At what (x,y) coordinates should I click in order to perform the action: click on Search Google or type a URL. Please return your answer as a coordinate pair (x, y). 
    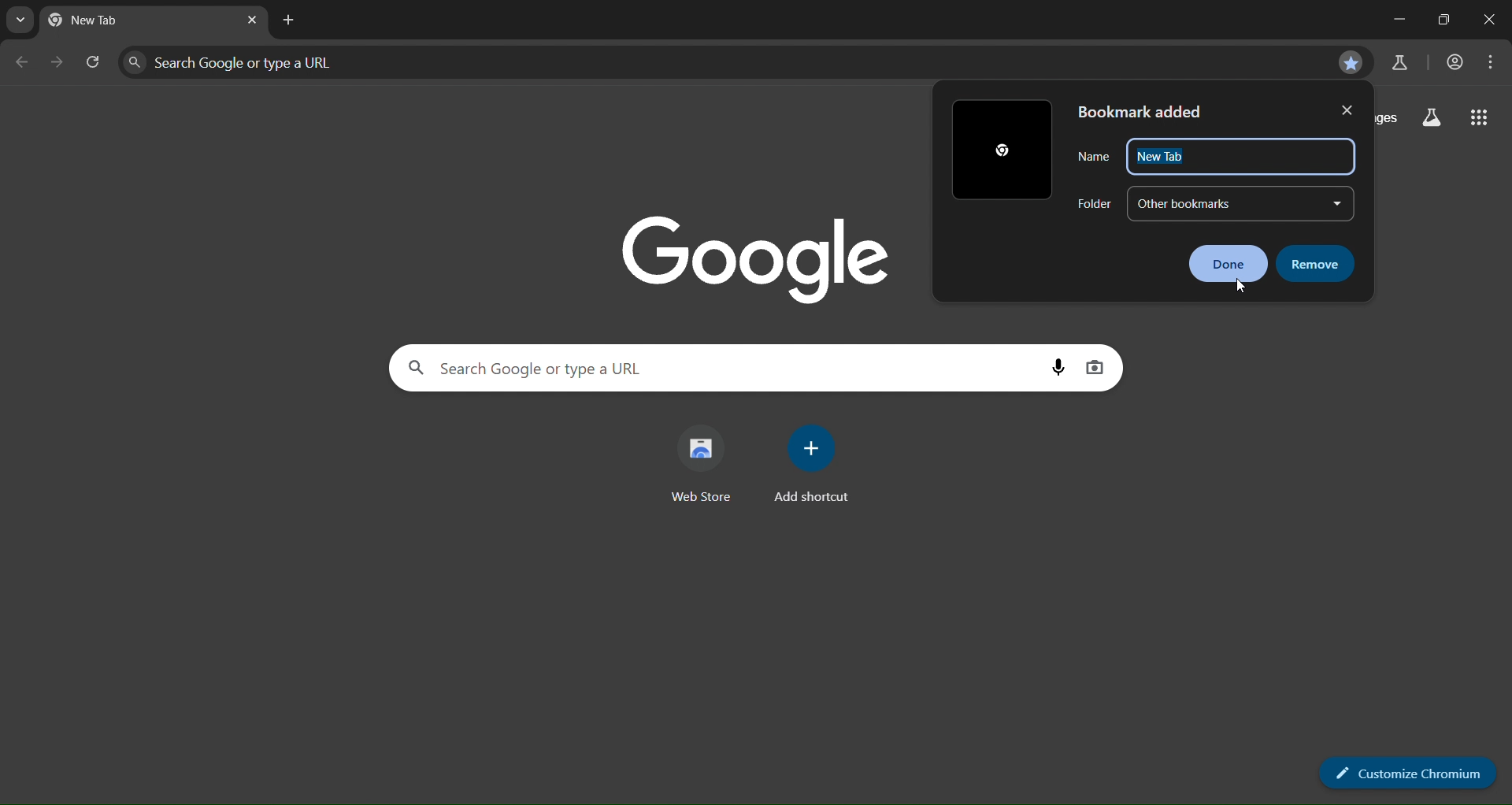
    Looking at the image, I should click on (715, 366).